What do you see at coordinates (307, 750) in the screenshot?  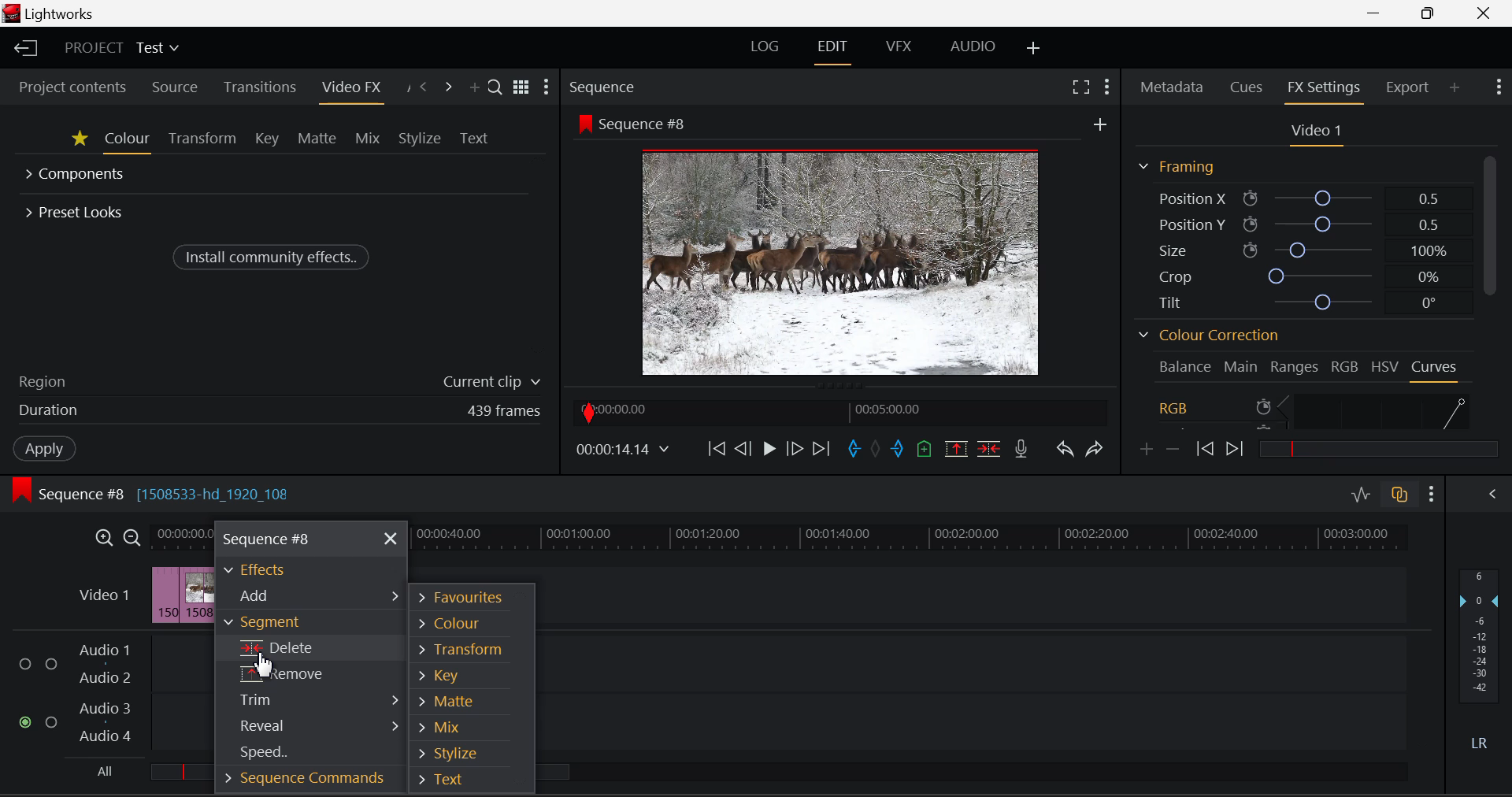 I see `Speed` at bounding box center [307, 750].